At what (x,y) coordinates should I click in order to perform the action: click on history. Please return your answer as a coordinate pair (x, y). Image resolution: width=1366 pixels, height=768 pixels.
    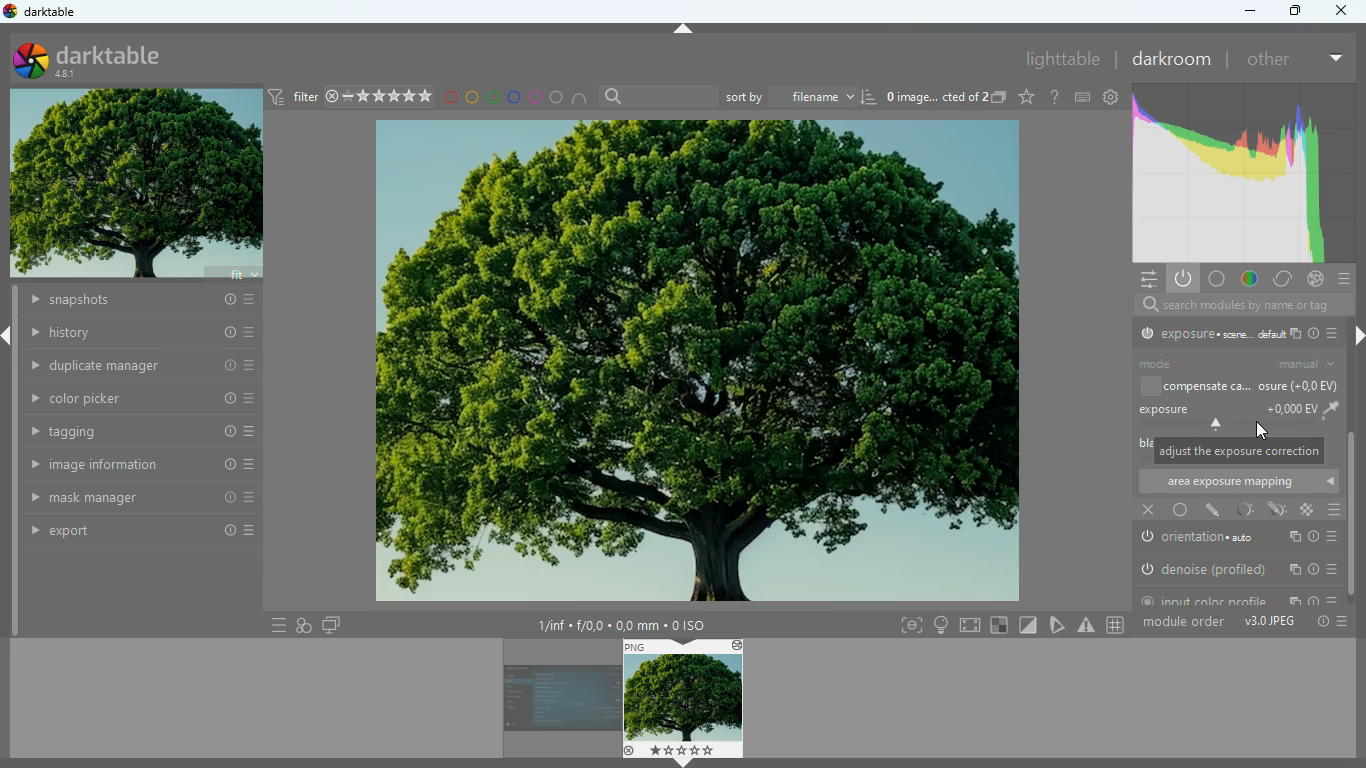
    Looking at the image, I should click on (134, 301).